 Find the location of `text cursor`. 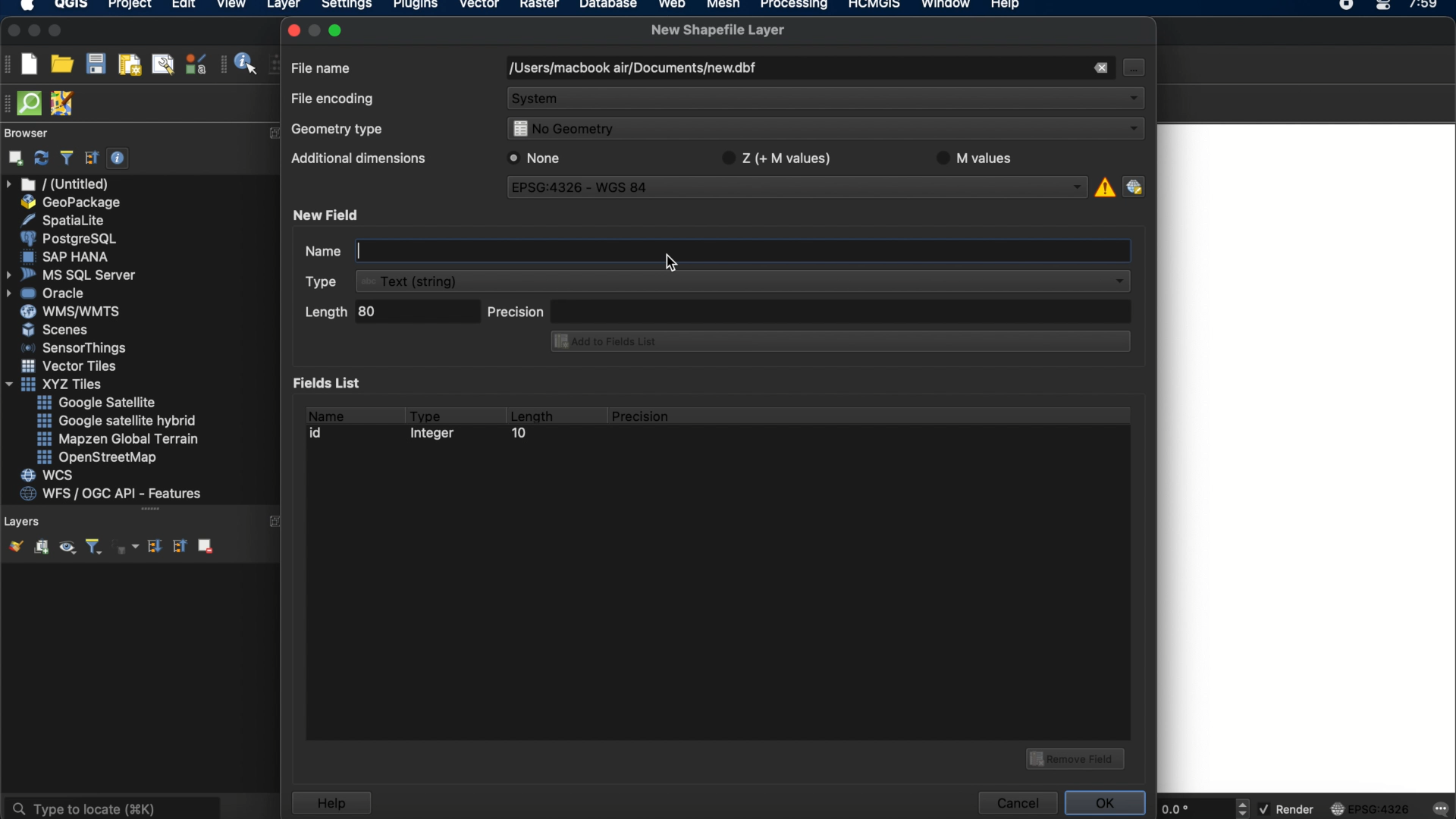

text cursor is located at coordinates (359, 250).